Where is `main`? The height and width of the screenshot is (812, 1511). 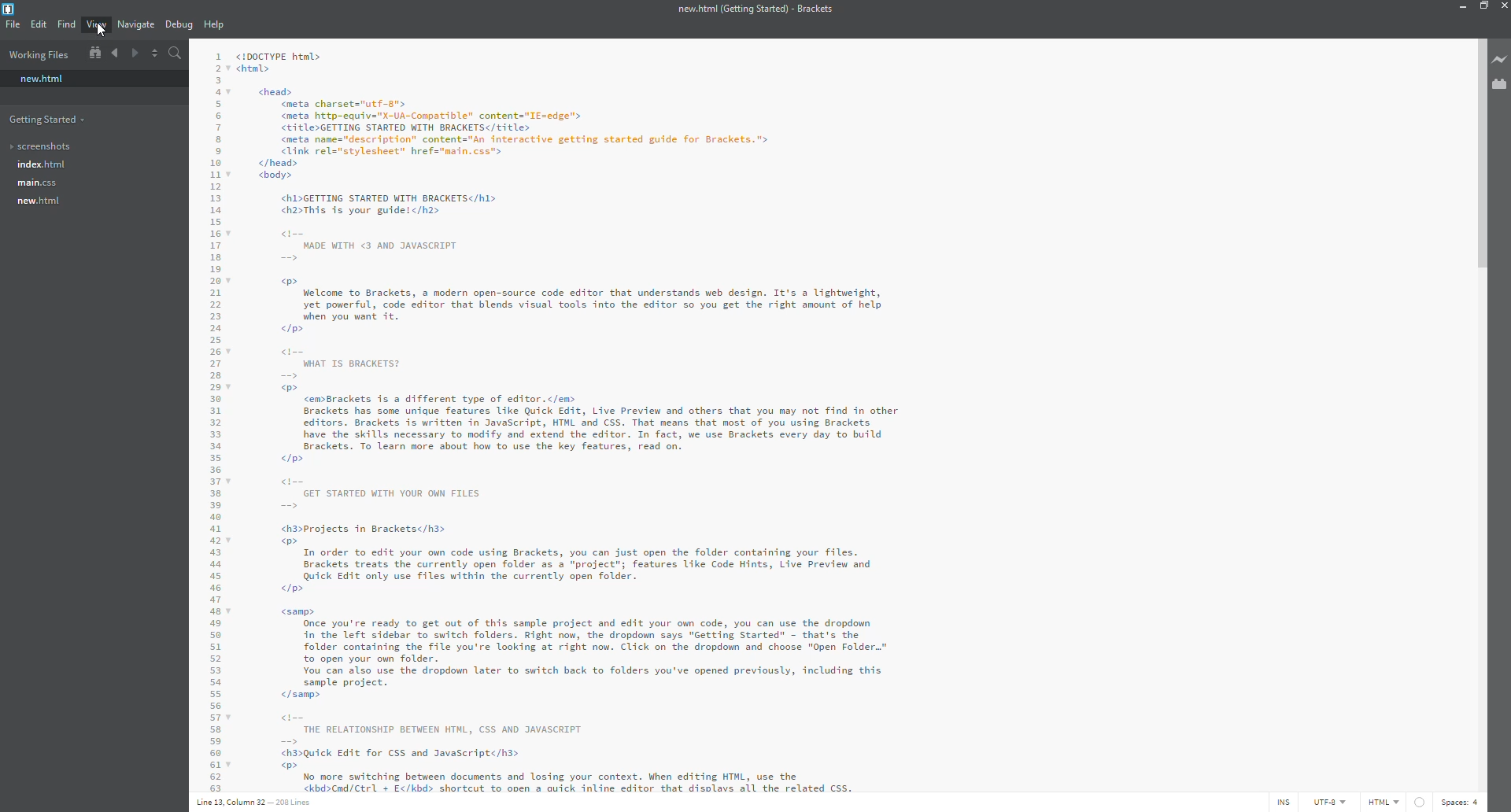
main is located at coordinates (36, 183).